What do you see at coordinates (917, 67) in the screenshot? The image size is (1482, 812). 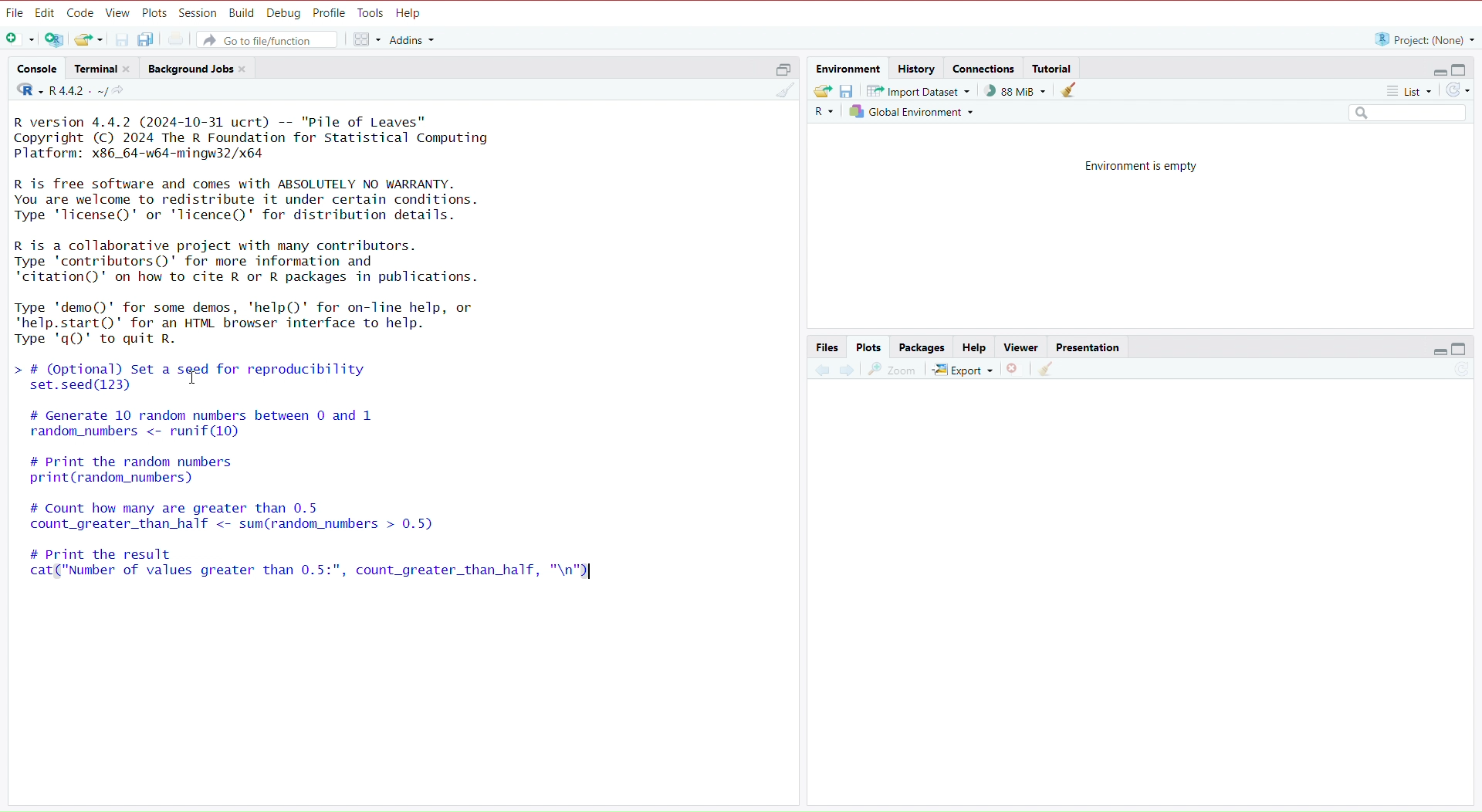 I see `History` at bounding box center [917, 67].